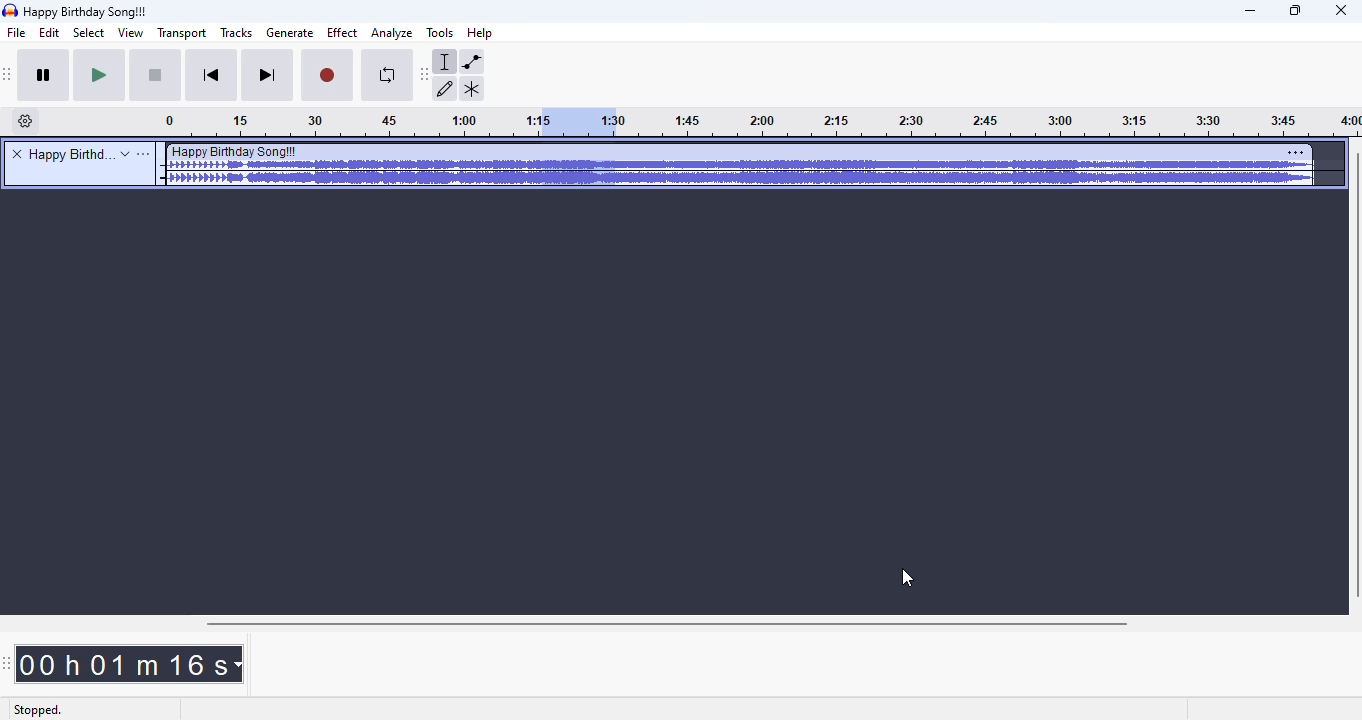 This screenshot has width=1362, height=720. I want to click on audacity tools toolbar, so click(424, 75).